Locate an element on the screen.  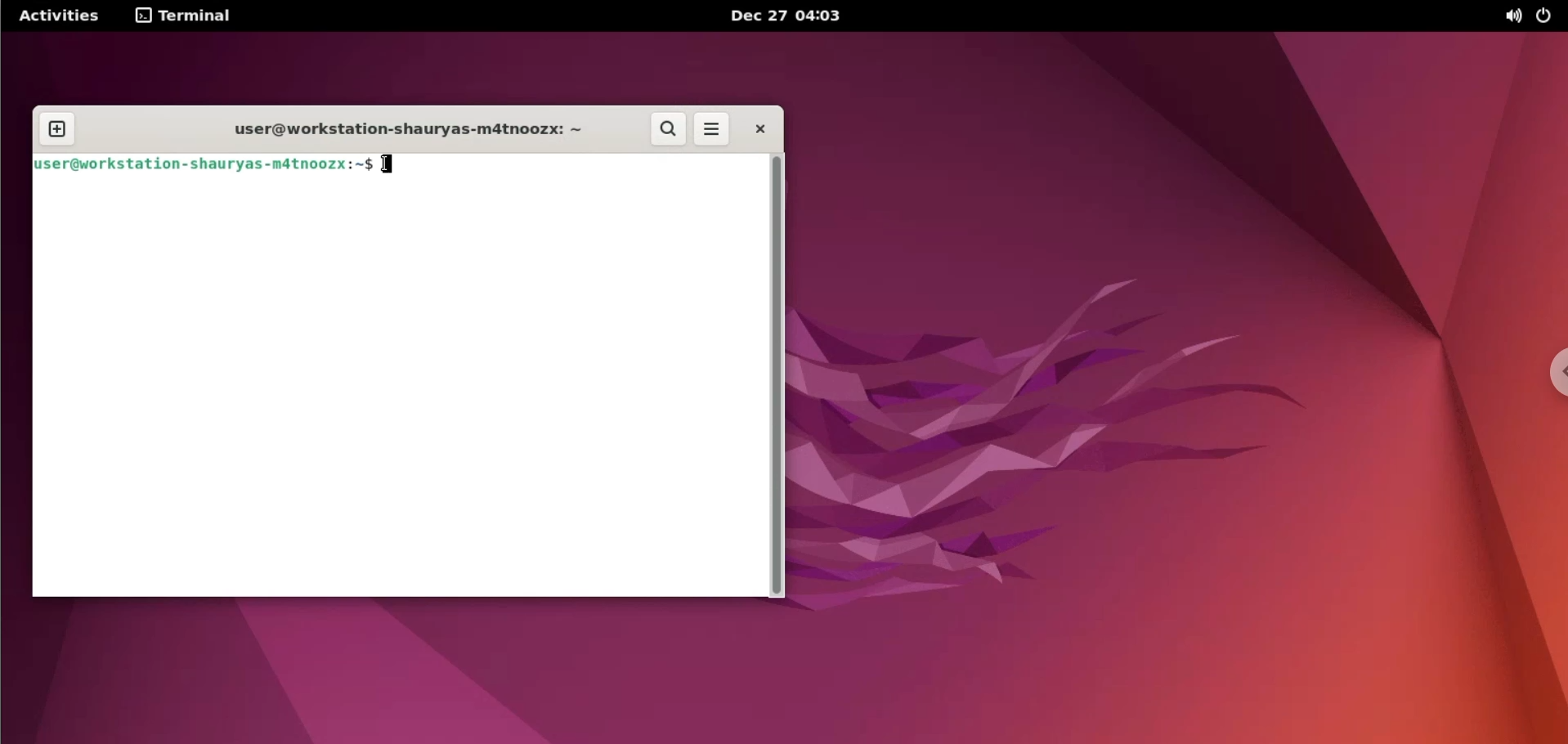
Dec 27 04:03 is located at coordinates (791, 16).